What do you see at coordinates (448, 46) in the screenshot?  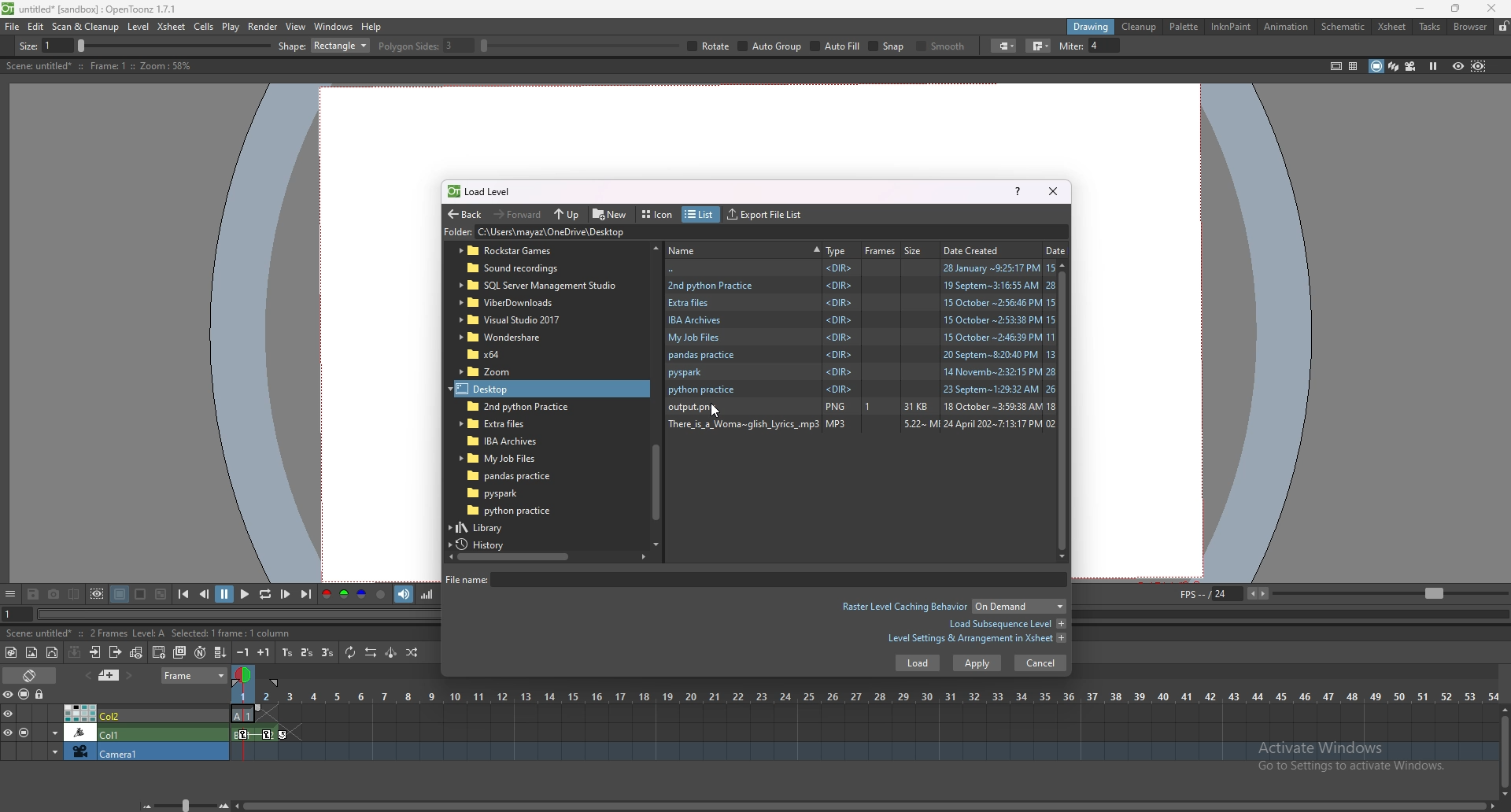 I see `hardness` at bounding box center [448, 46].